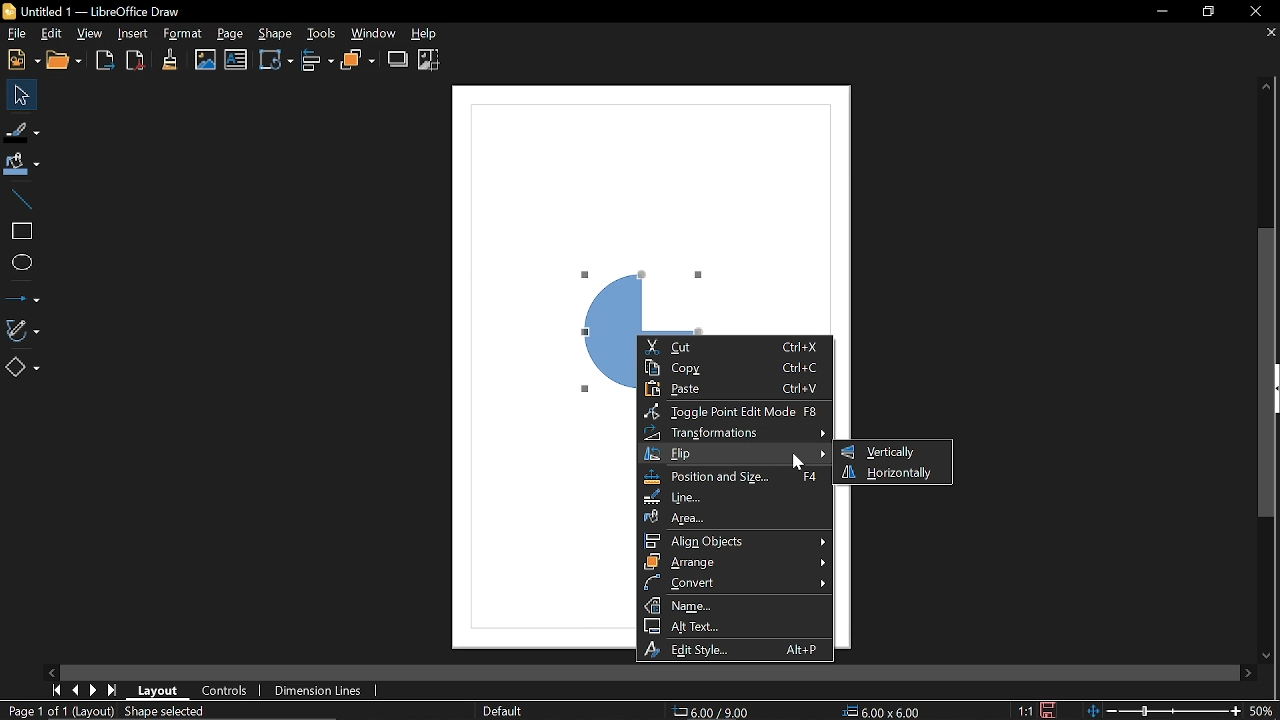 The width and height of the screenshot is (1280, 720). What do you see at coordinates (734, 476) in the screenshot?
I see `position and size` at bounding box center [734, 476].